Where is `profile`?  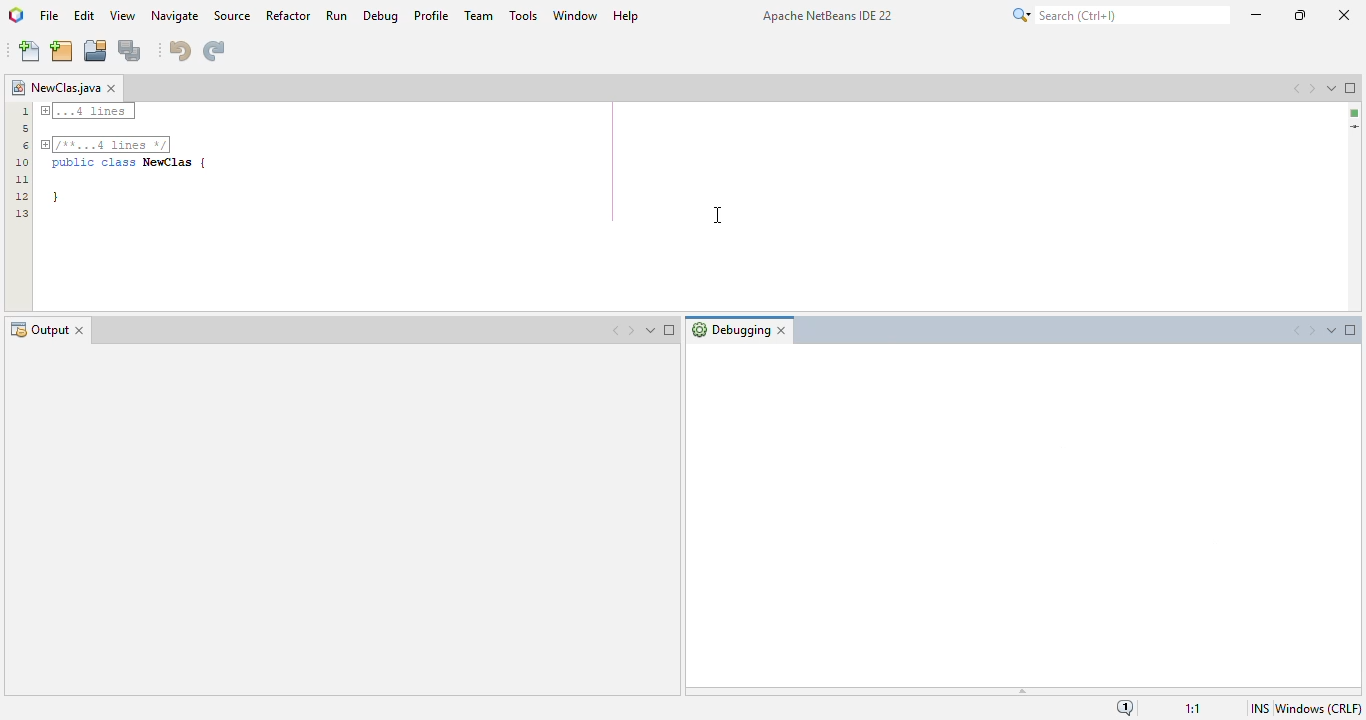
profile is located at coordinates (430, 15).